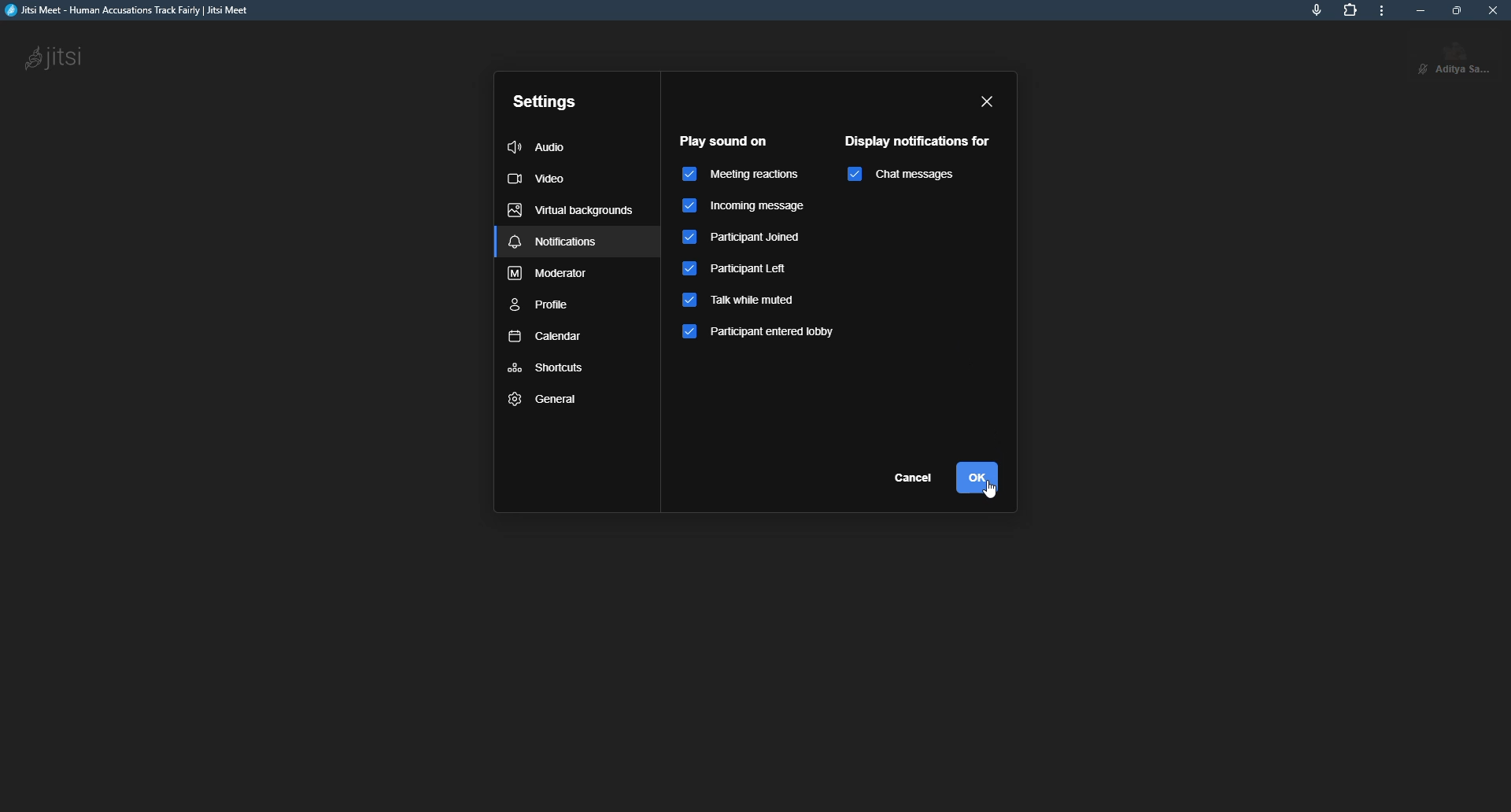  What do you see at coordinates (746, 241) in the screenshot?
I see `participant joined` at bounding box center [746, 241].